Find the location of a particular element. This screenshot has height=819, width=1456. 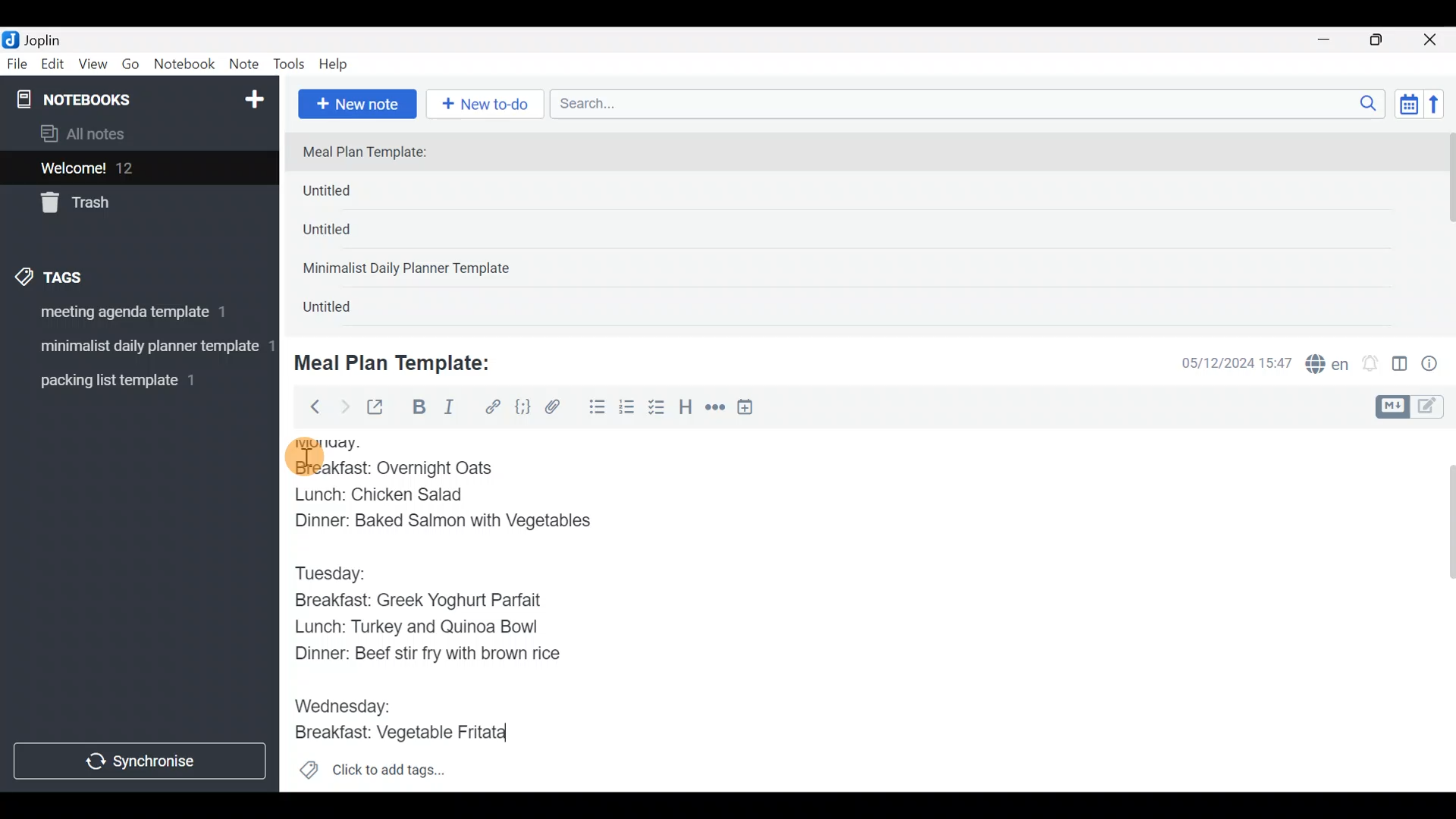

Scroll bar is located at coordinates (1440, 610).